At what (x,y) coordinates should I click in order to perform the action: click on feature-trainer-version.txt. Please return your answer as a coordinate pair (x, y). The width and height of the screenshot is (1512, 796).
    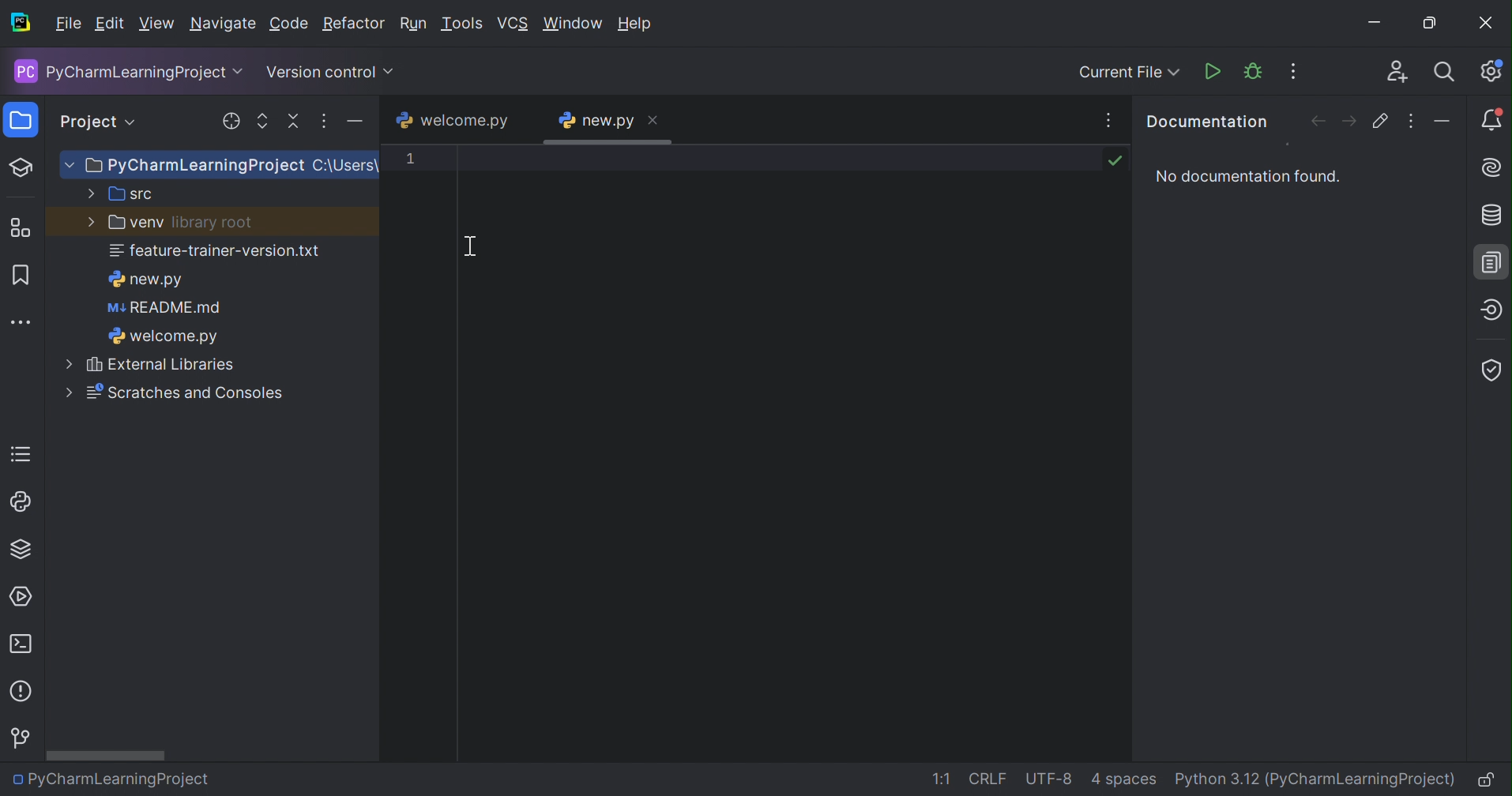
    Looking at the image, I should click on (216, 253).